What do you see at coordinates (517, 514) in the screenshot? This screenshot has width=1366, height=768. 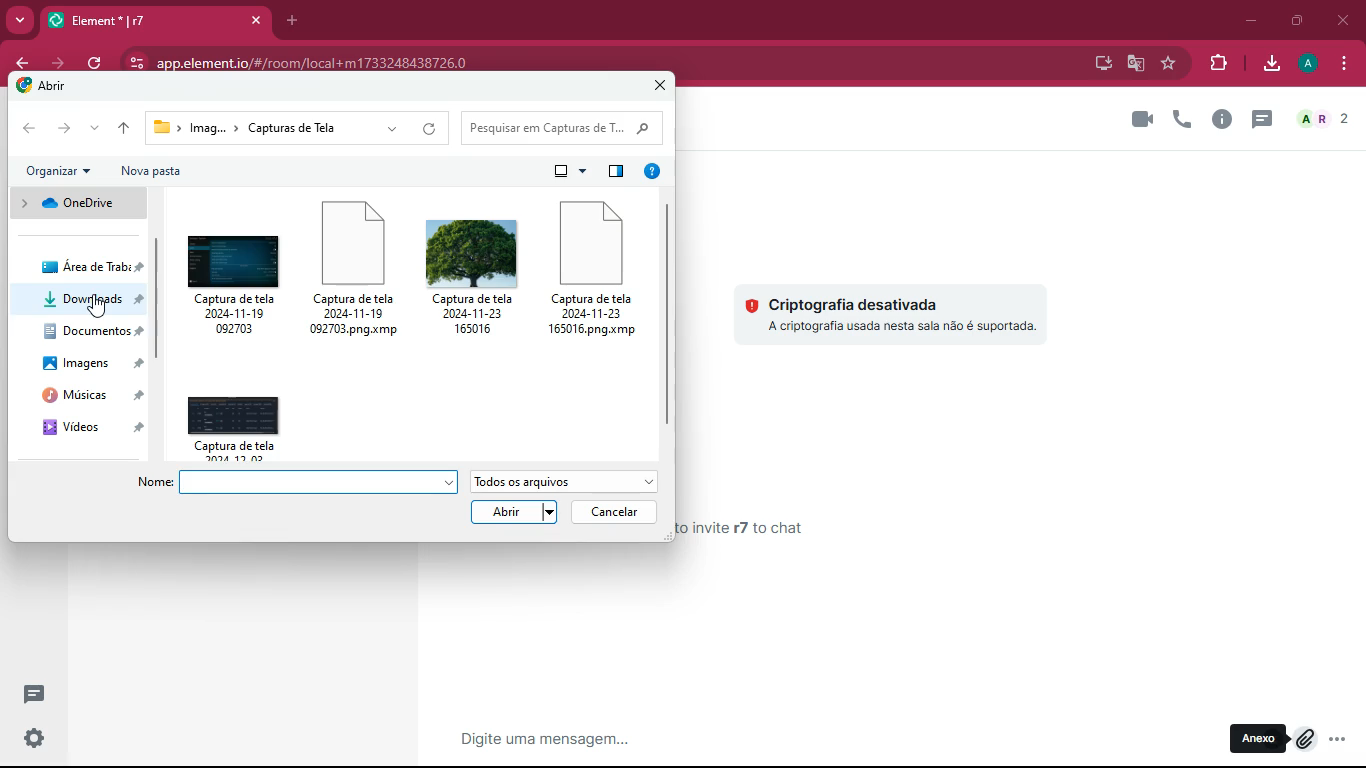 I see `arbir` at bounding box center [517, 514].